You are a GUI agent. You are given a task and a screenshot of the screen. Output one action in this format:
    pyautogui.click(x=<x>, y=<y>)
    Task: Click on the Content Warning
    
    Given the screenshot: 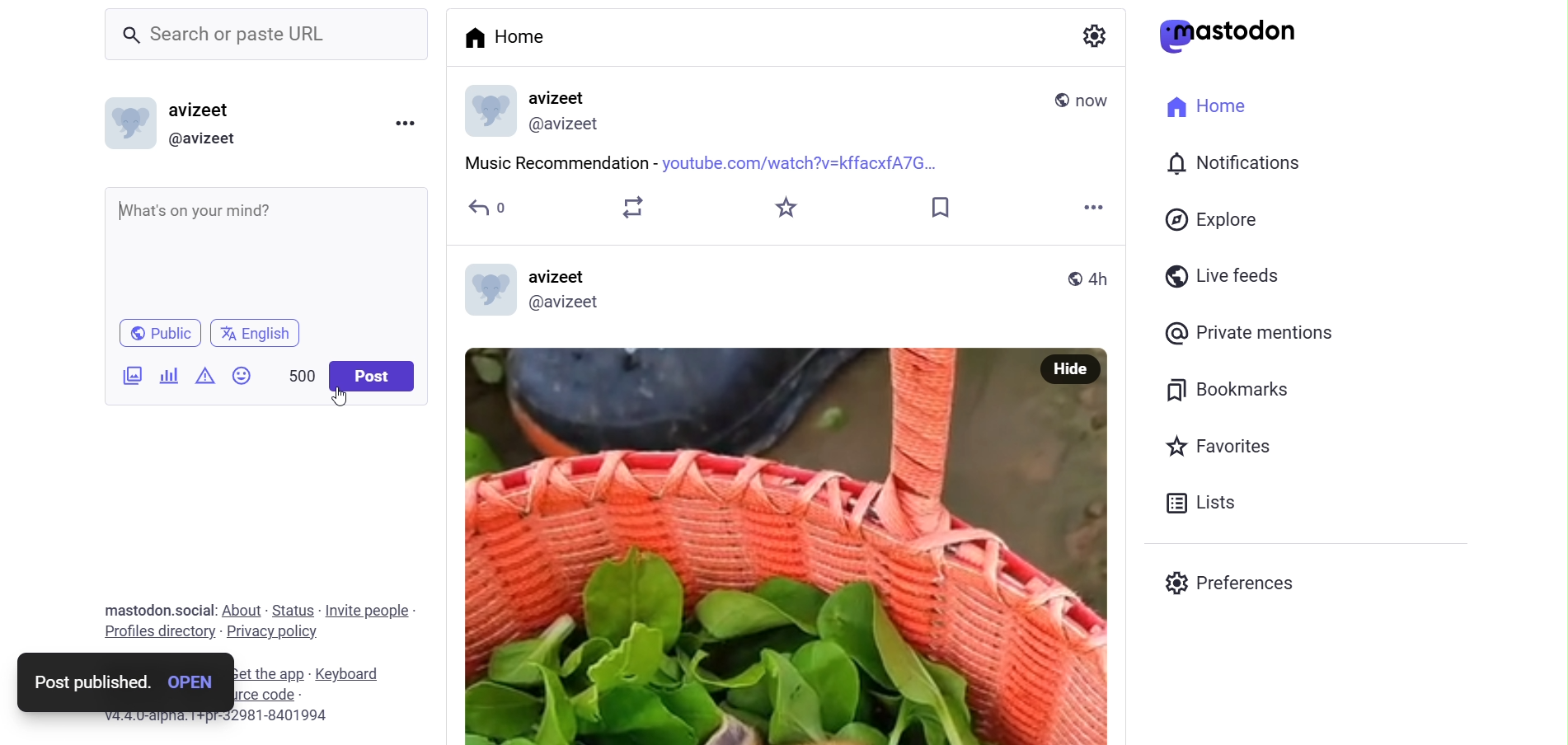 What is the action you would take?
    pyautogui.click(x=204, y=376)
    